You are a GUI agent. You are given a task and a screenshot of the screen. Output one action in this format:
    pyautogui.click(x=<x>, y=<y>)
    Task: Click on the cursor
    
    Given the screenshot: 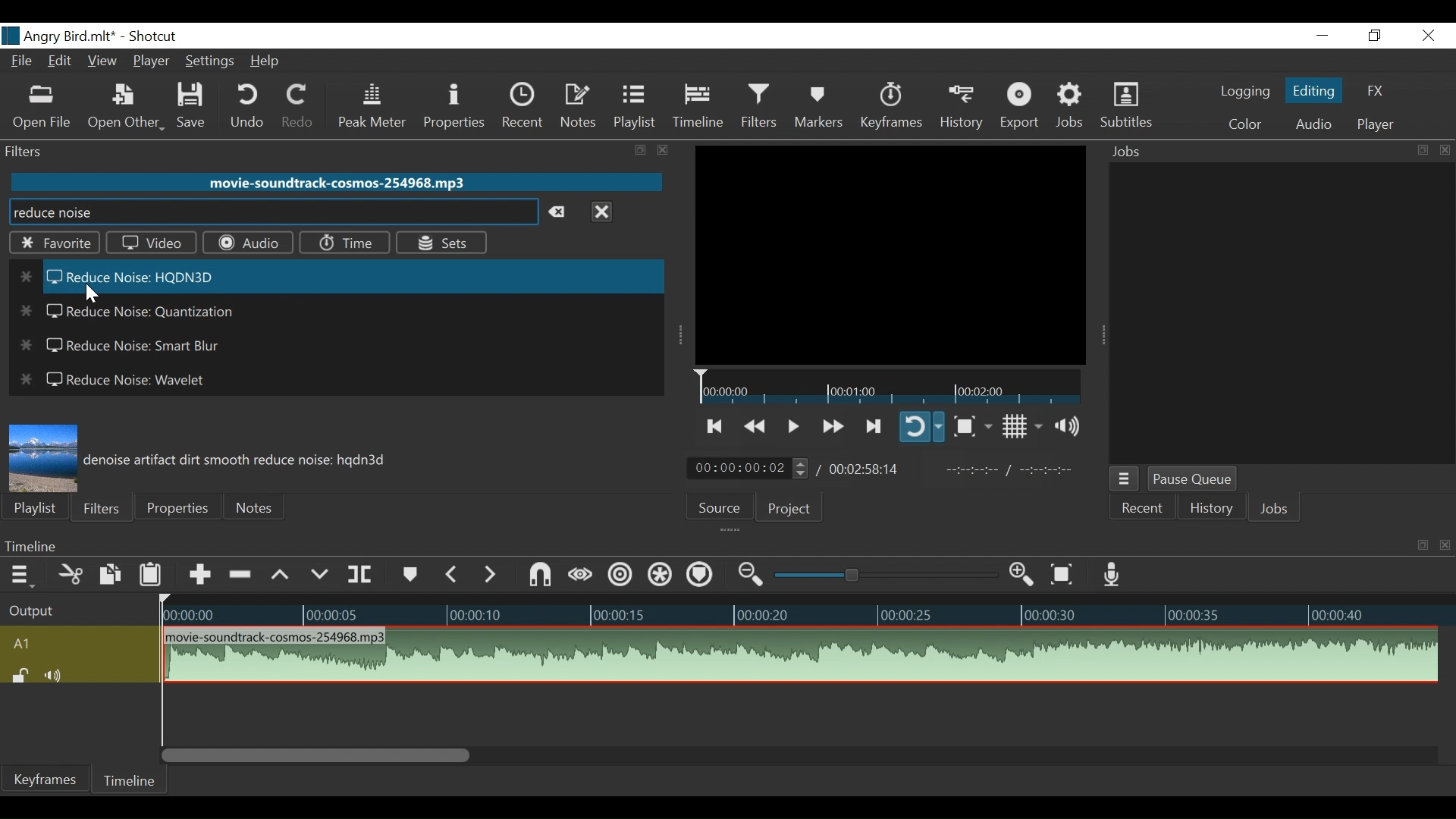 What is the action you would take?
    pyautogui.click(x=93, y=294)
    